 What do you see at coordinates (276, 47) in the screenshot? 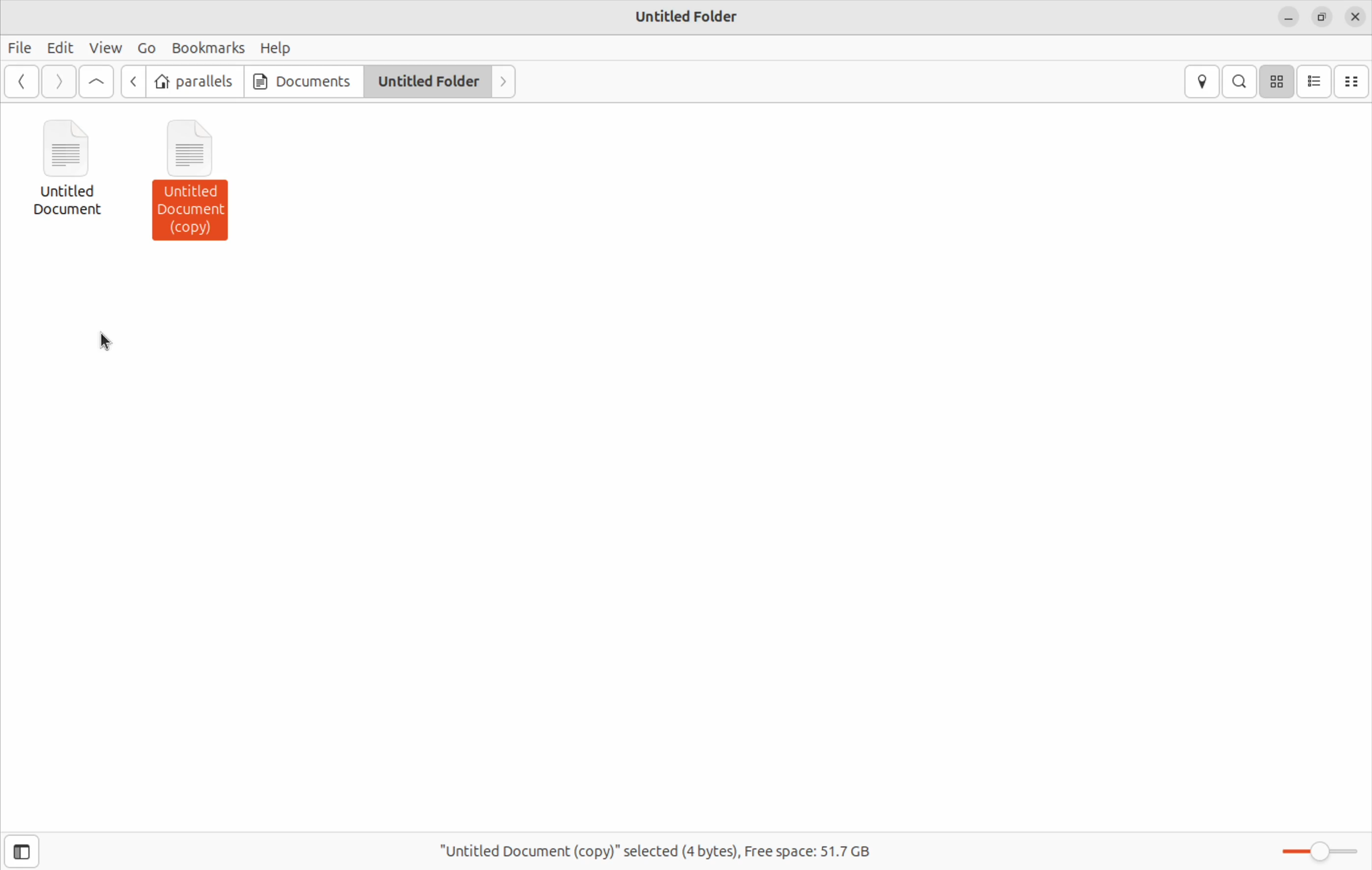
I see `Help` at bounding box center [276, 47].